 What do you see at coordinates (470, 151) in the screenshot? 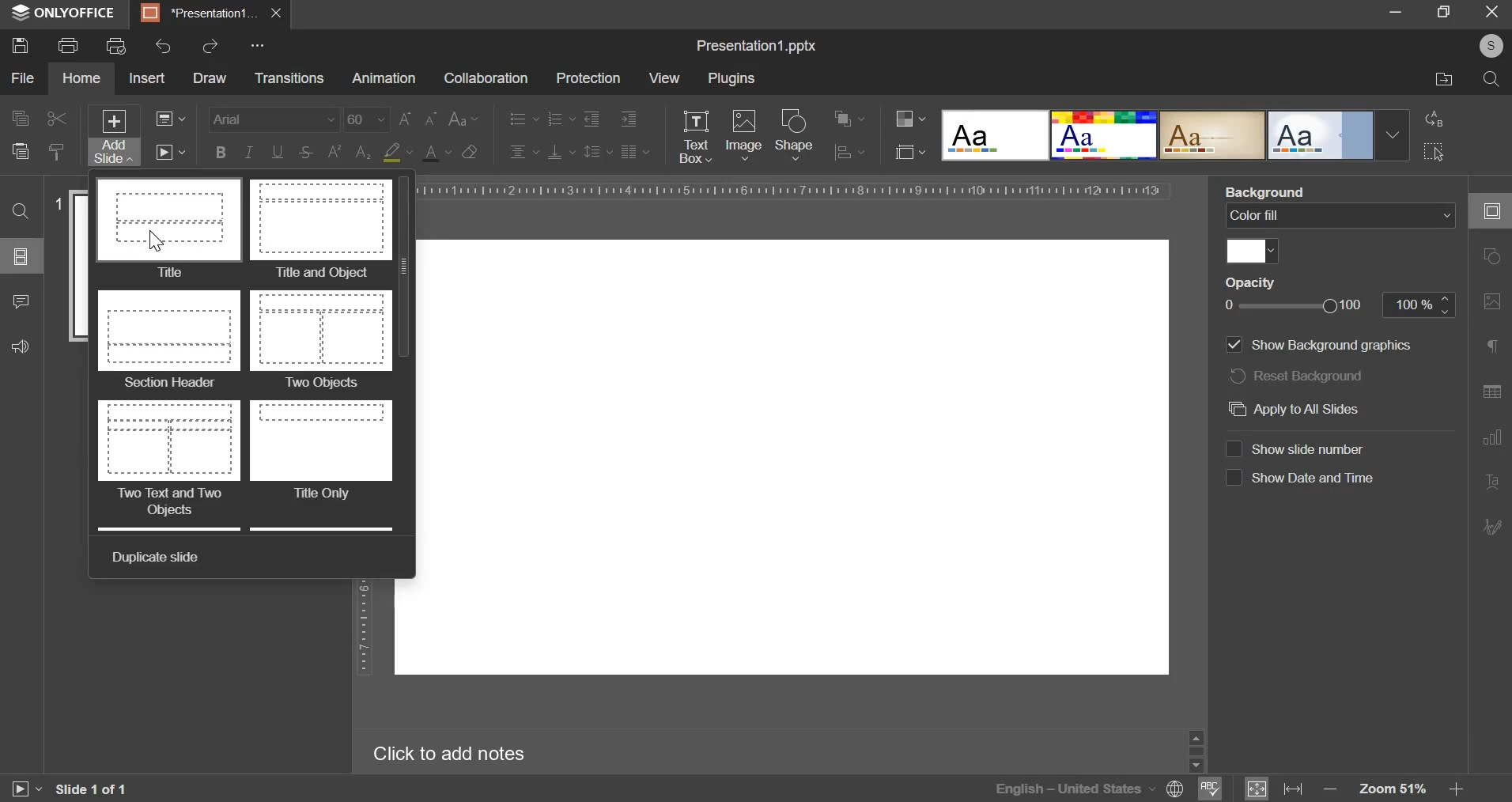
I see `clear style` at bounding box center [470, 151].